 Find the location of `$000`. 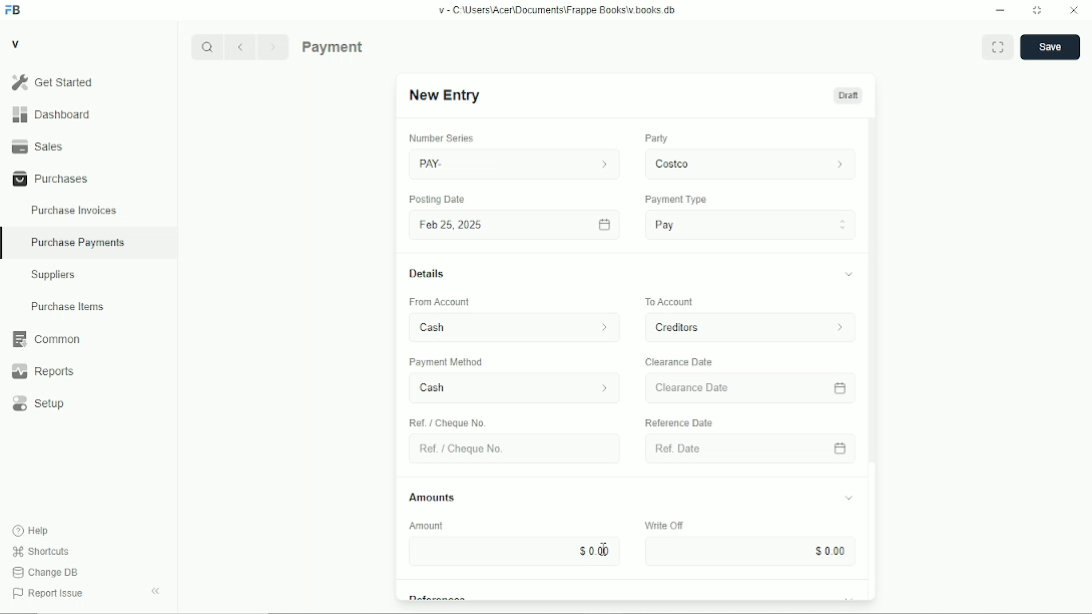

$000 is located at coordinates (519, 551).